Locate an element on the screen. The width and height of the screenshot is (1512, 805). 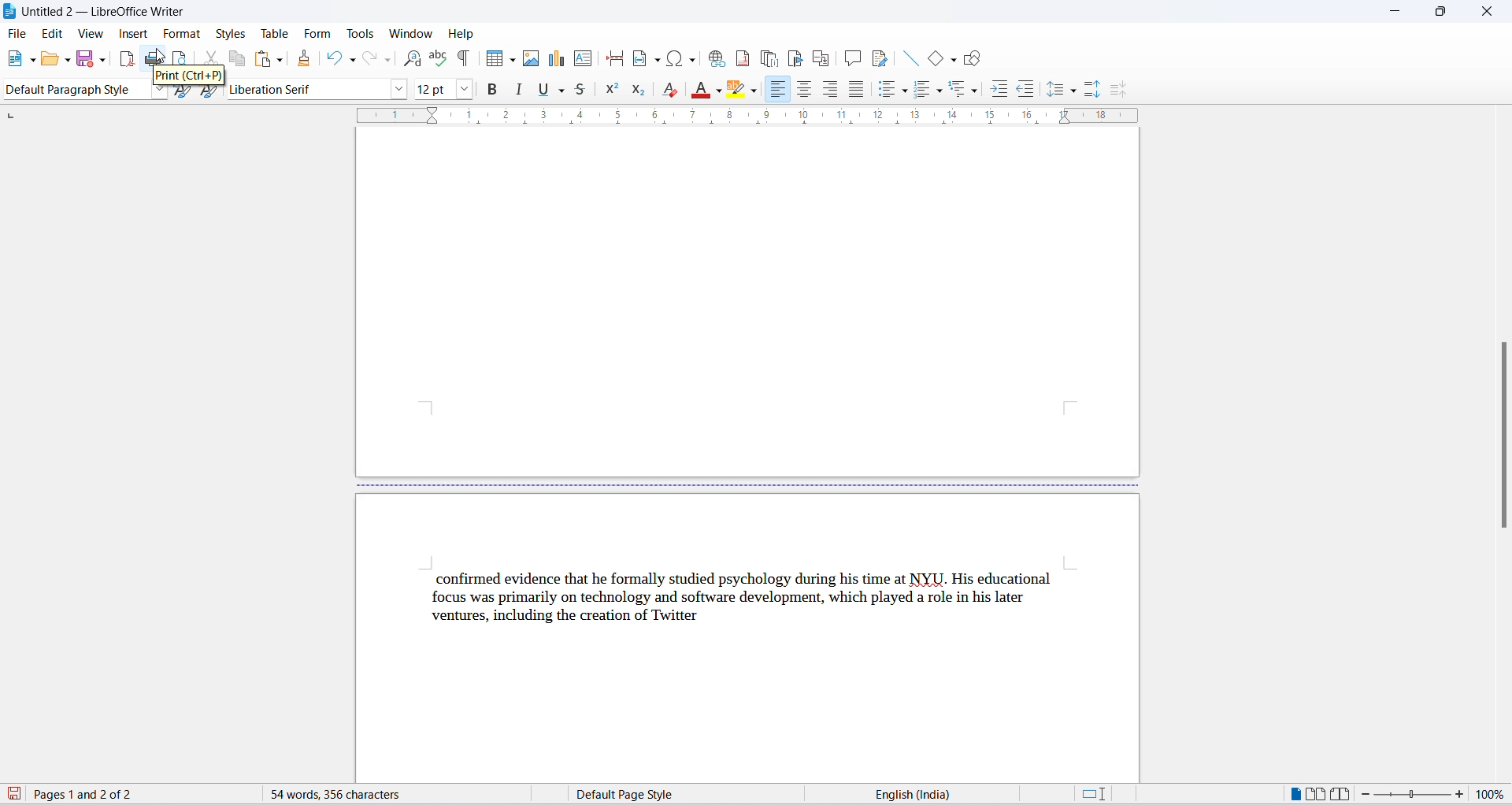
insert page break is located at coordinates (613, 57).